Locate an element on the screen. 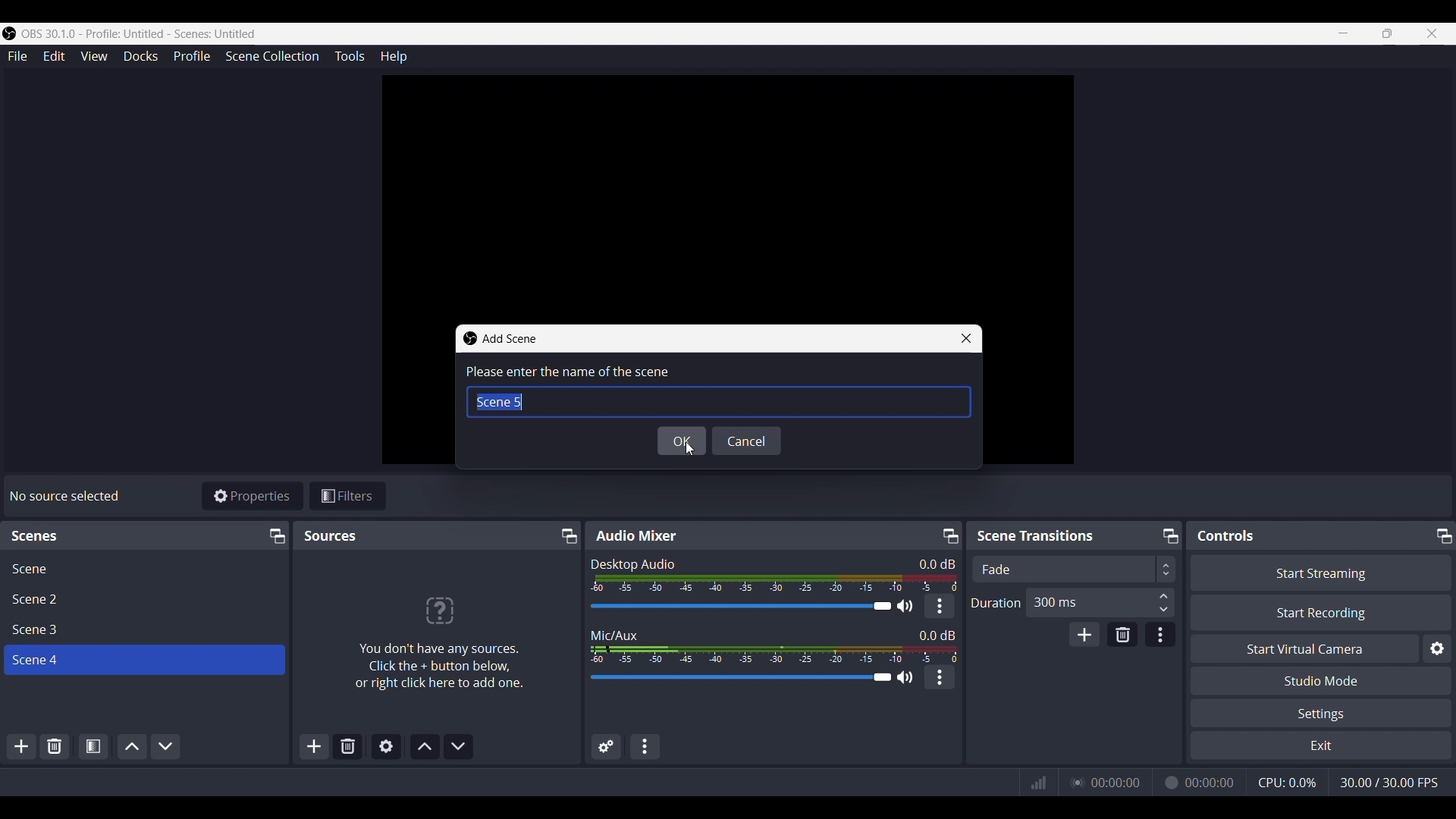  Move Source Up is located at coordinates (425, 746).